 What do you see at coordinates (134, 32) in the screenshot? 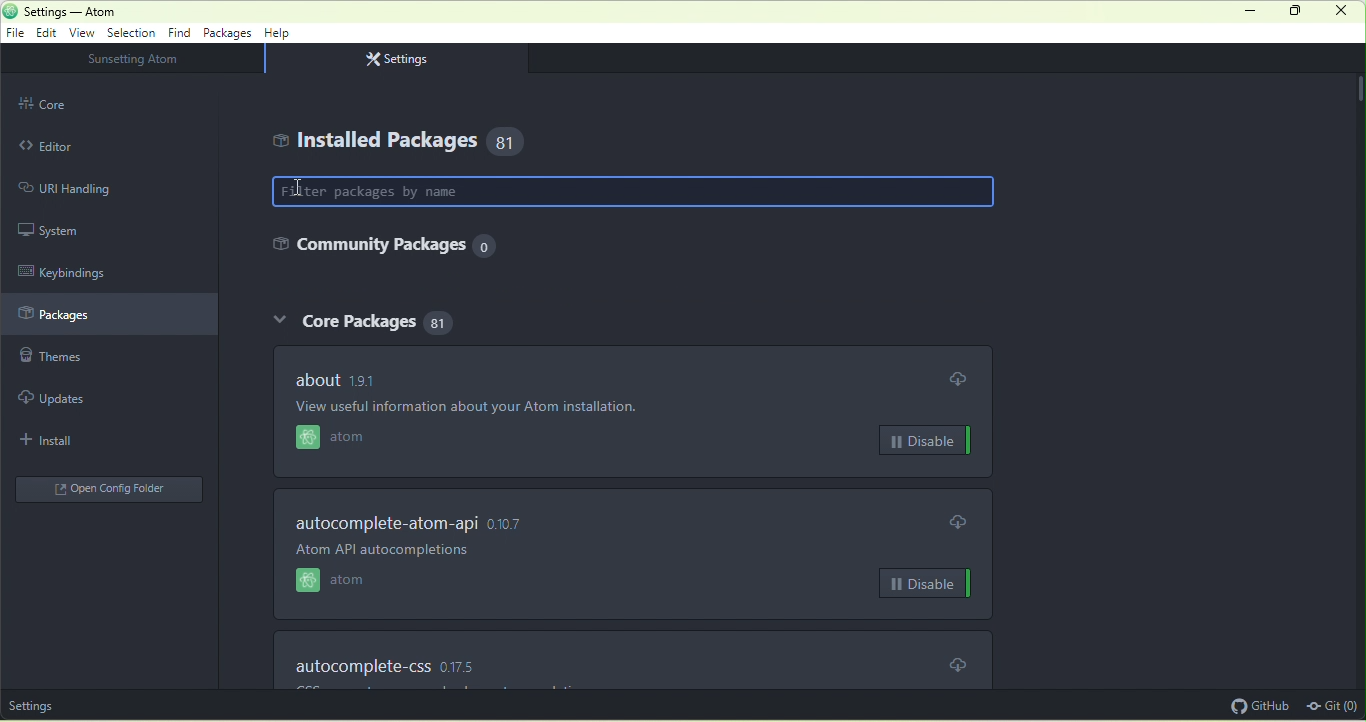
I see `selection` at bounding box center [134, 32].